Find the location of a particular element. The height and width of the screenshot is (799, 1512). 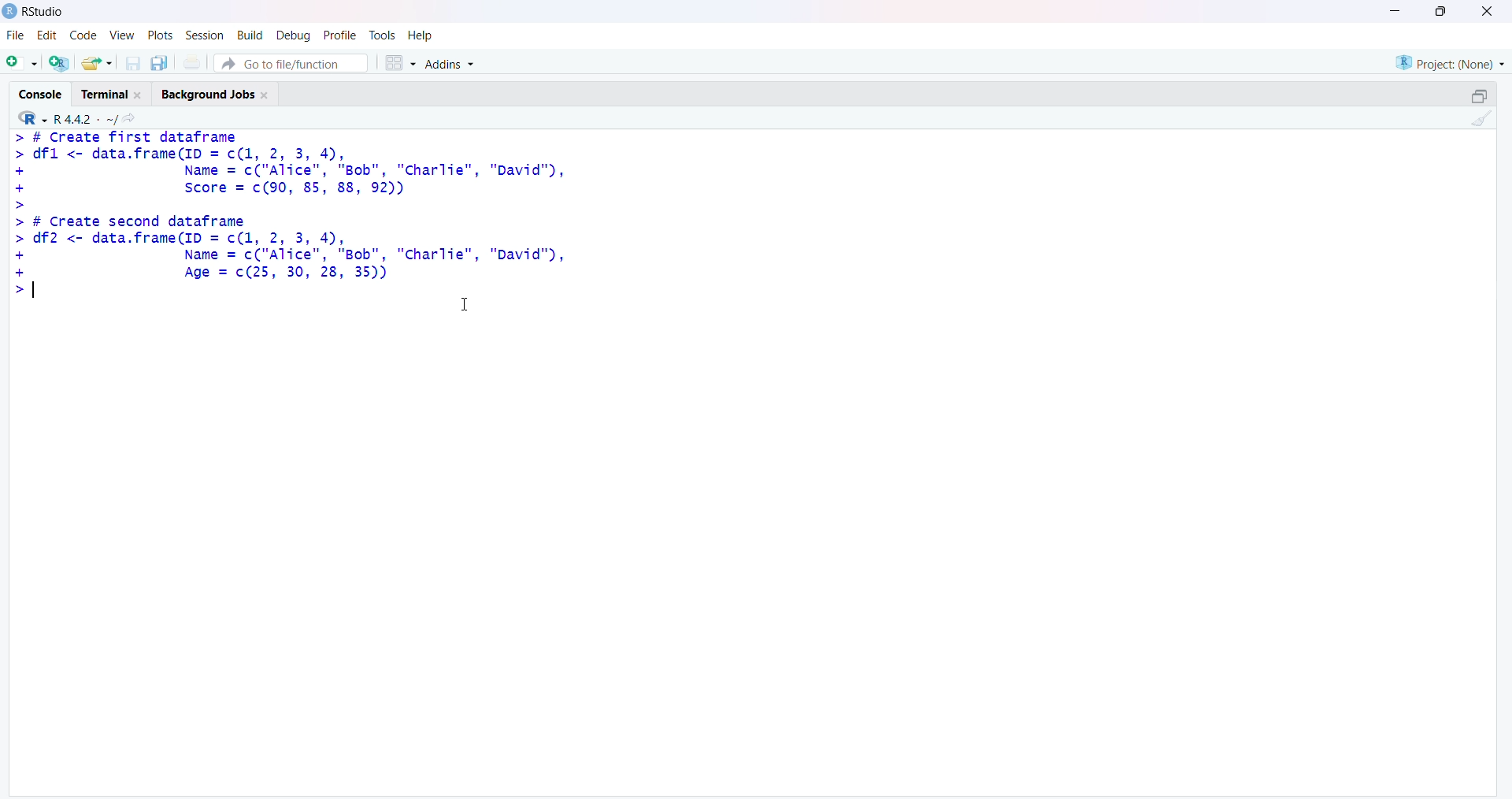

logo is located at coordinates (11, 12).